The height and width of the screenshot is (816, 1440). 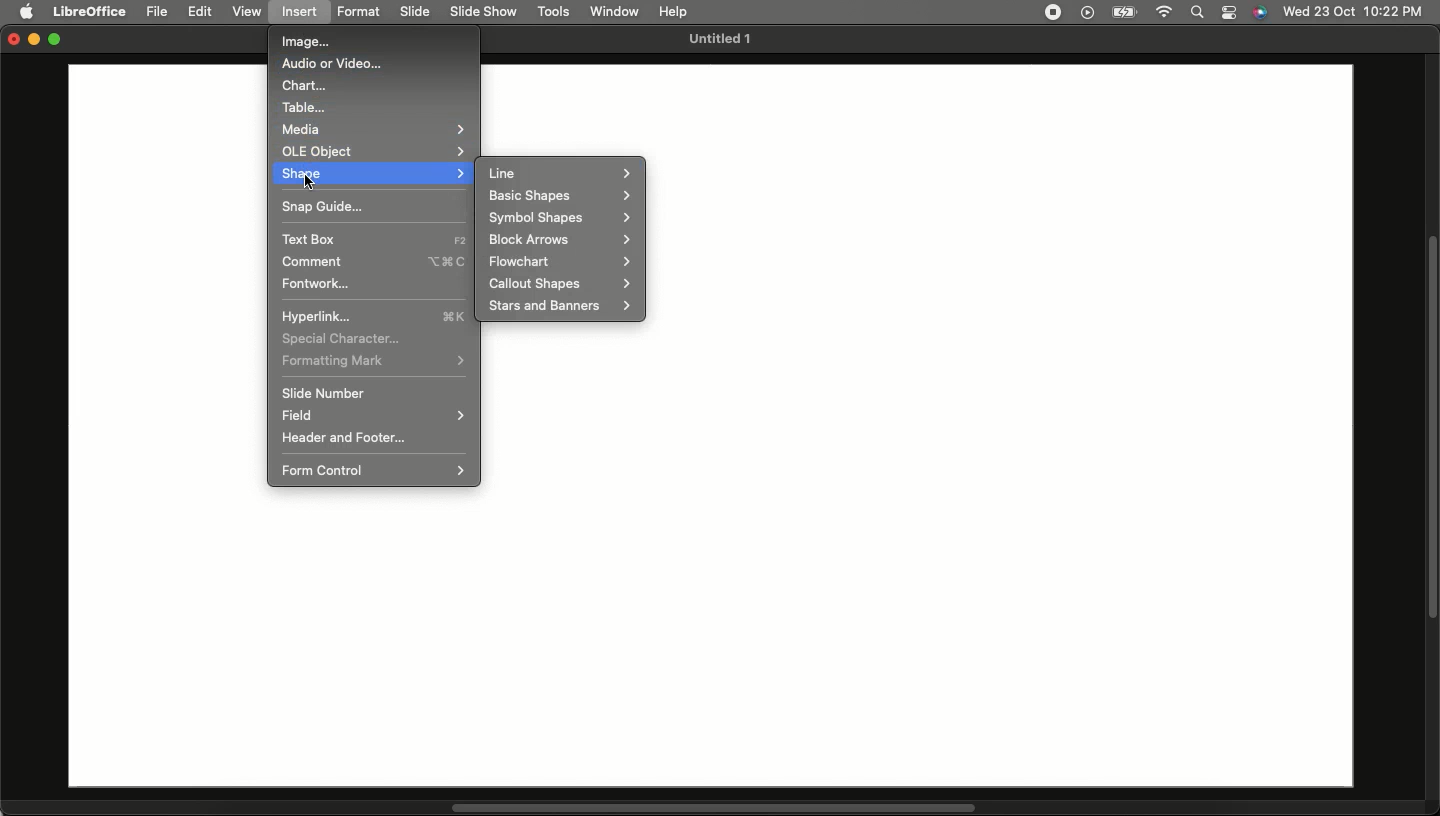 I want to click on Slide, so click(x=417, y=12).